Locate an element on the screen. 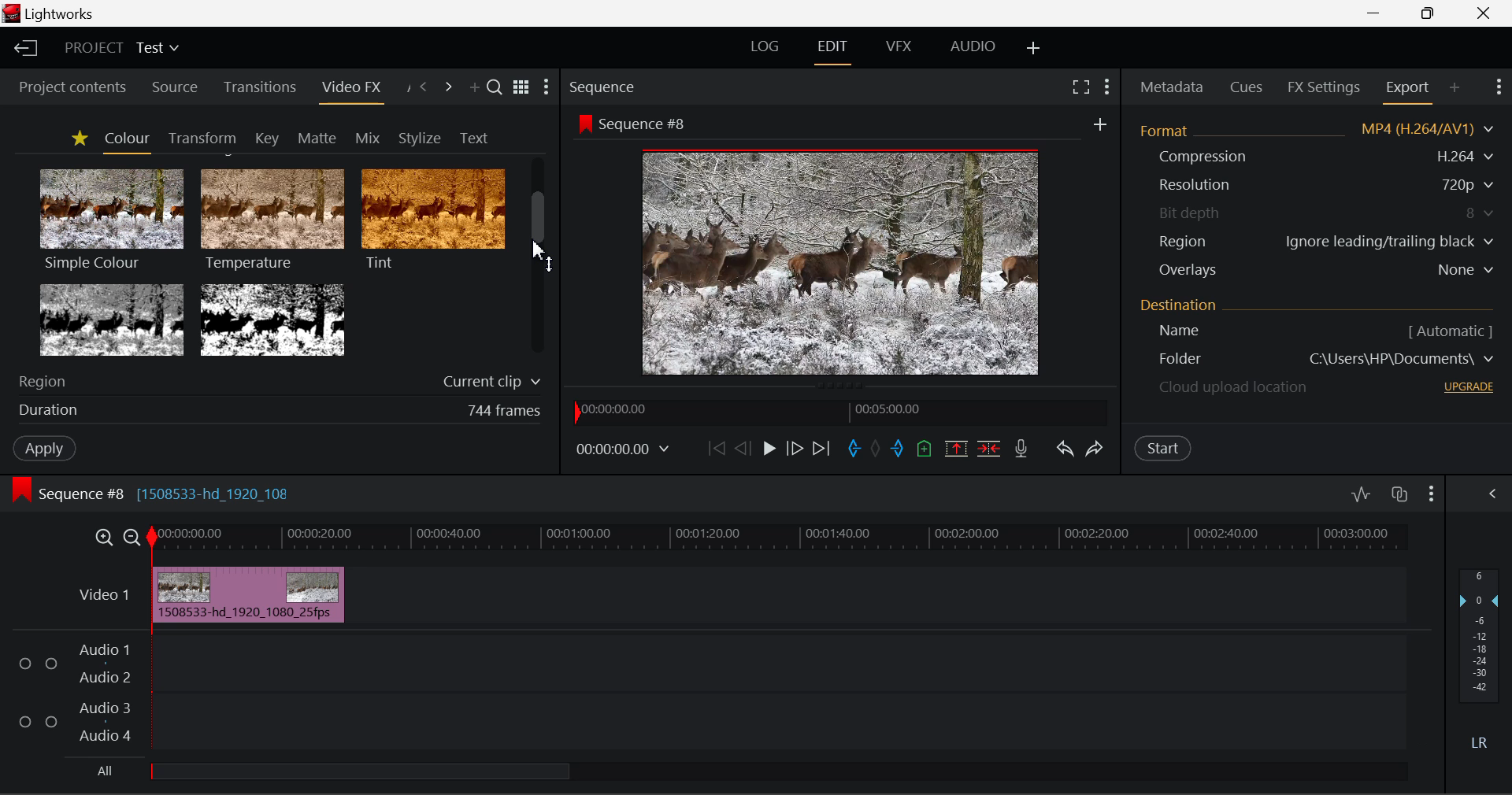 Image resolution: width=1512 pixels, height=795 pixels. Sequence #8 is located at coordinates (649, 125).